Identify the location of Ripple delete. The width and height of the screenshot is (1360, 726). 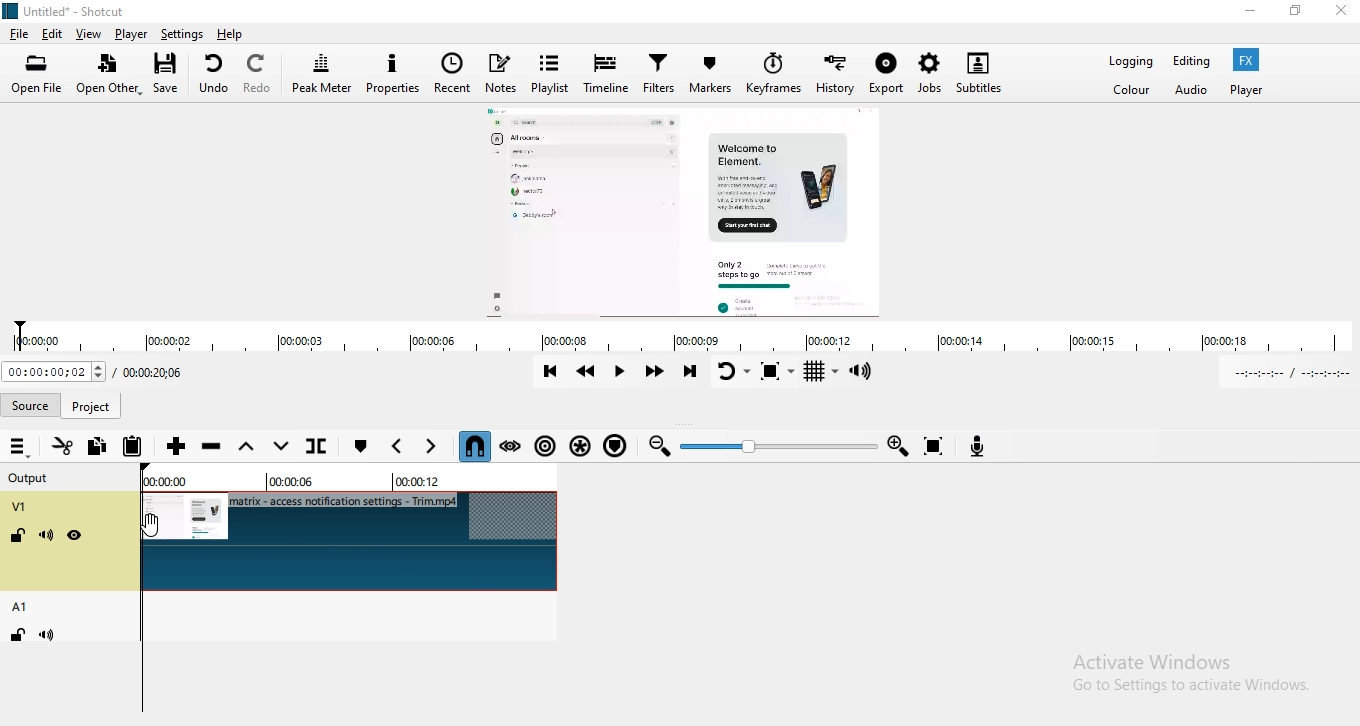
(211, 448).